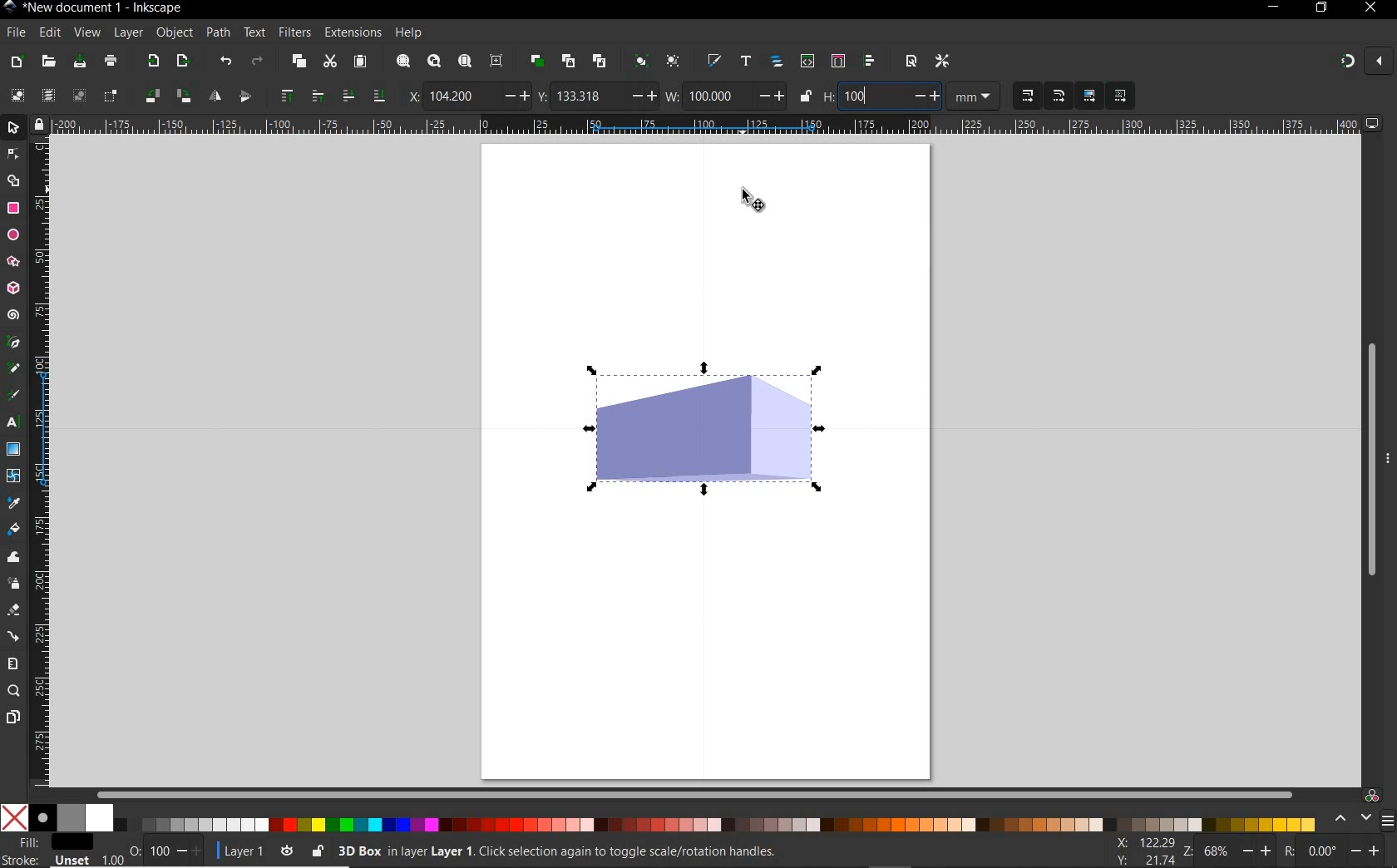 The height and width of the screenshot is (868, 1397). Describe the element at coordinates (12, 289) in the screenshot. I see `3d box tool` at that location.